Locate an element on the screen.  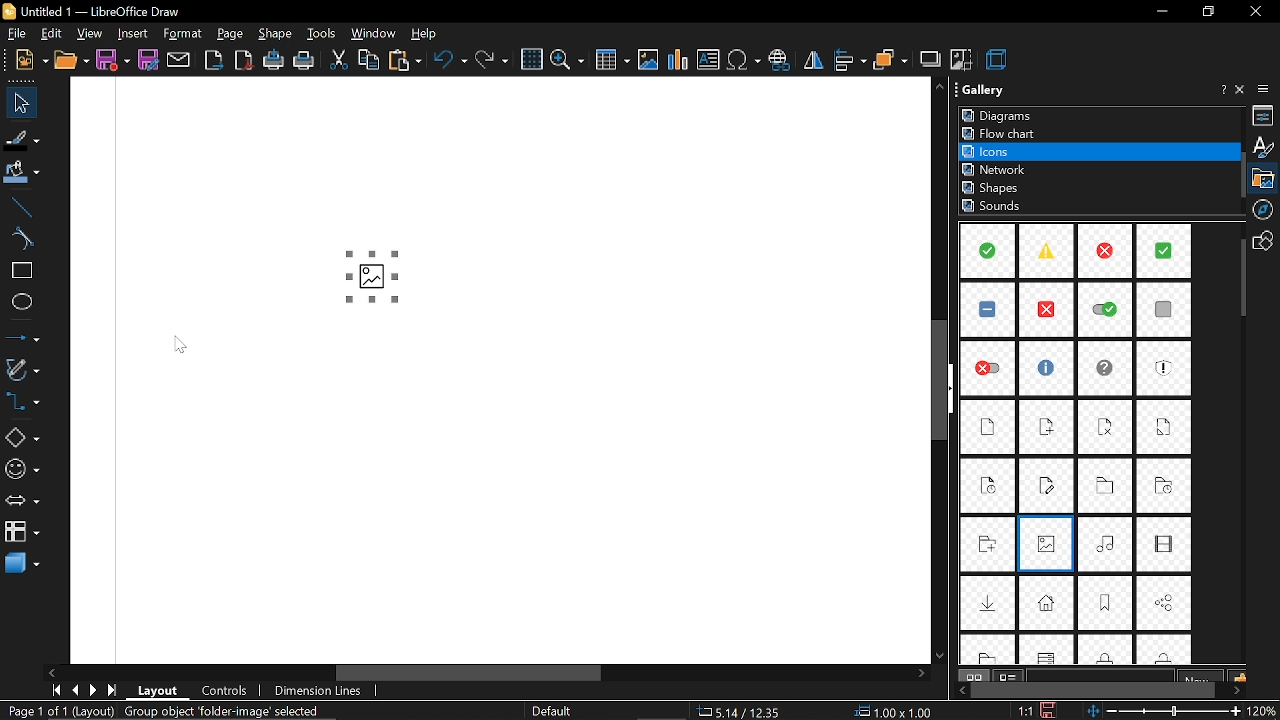
insert is located at coordinates (130, 34).